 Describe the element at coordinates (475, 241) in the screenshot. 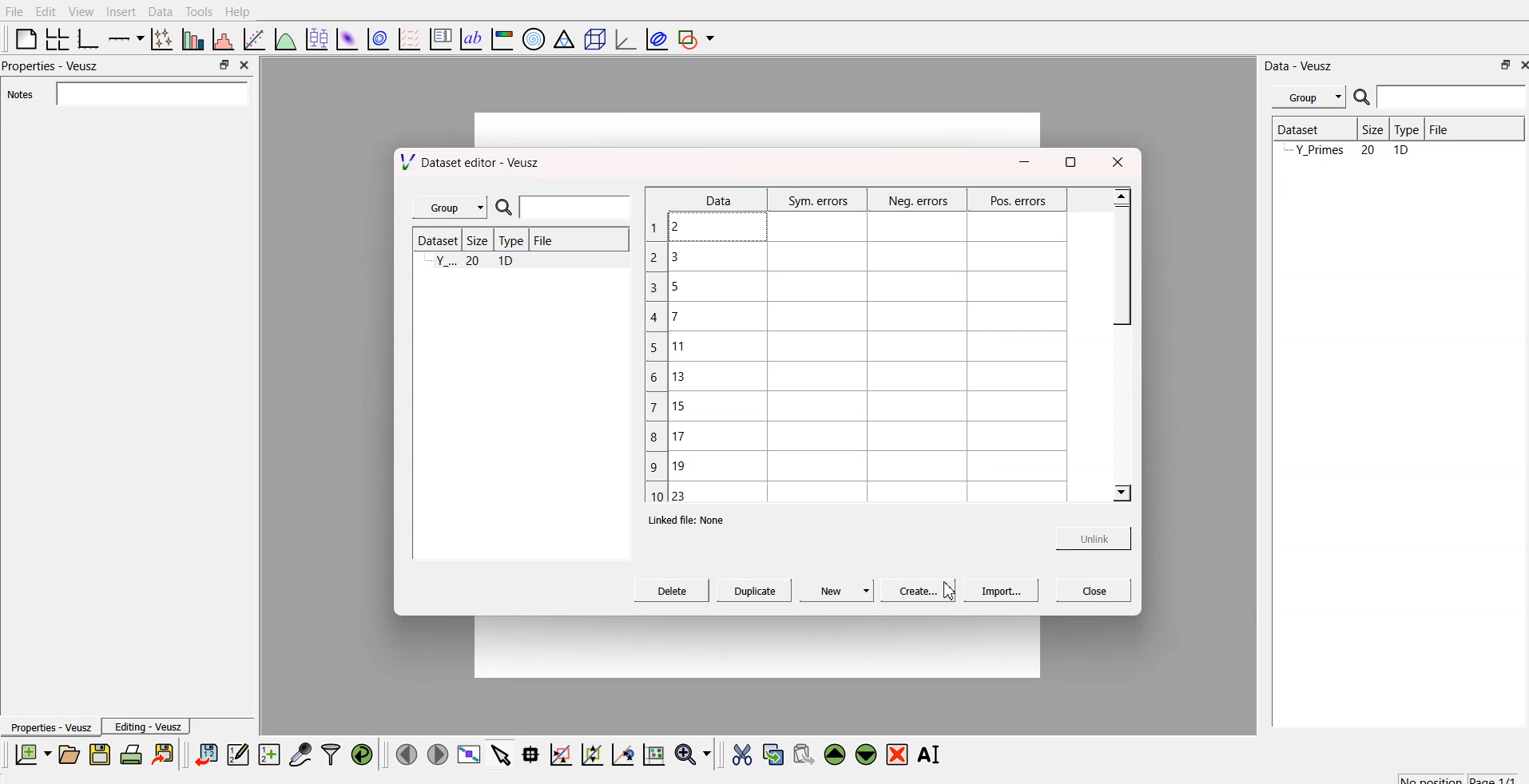

I see `| Size` at that location.